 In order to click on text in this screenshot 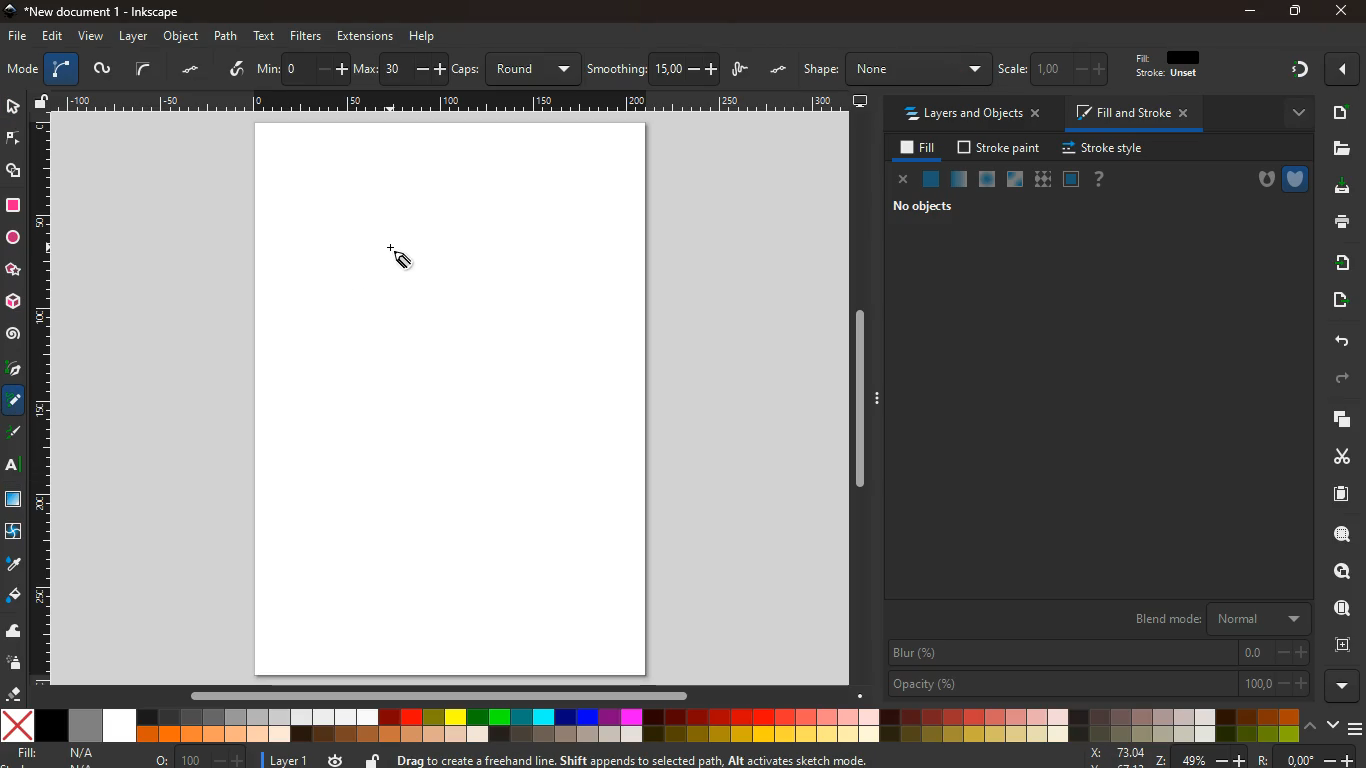, I will do `click(266, 37)`.